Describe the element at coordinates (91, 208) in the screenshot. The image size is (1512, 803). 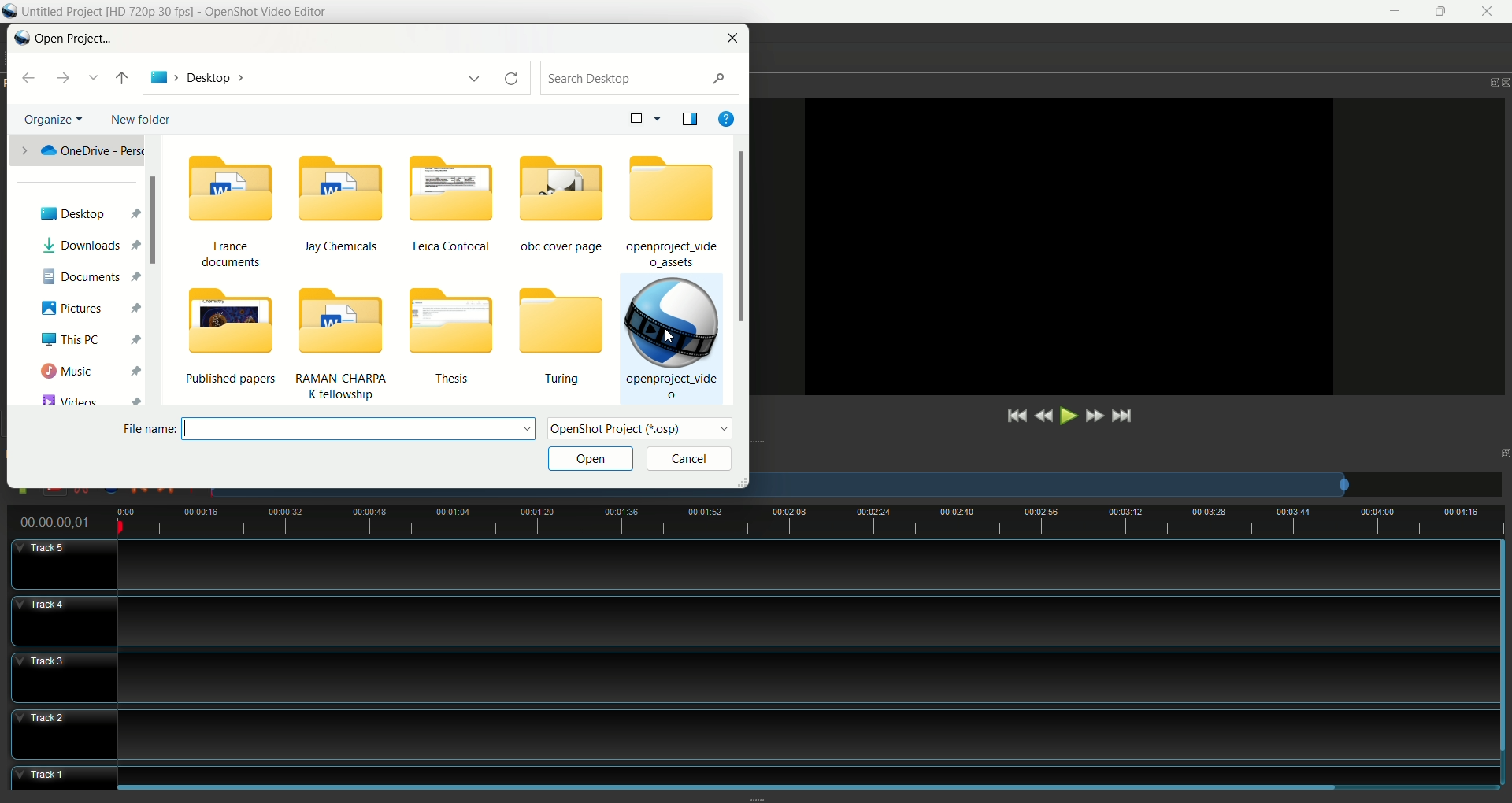
I see `desktop` at that location.